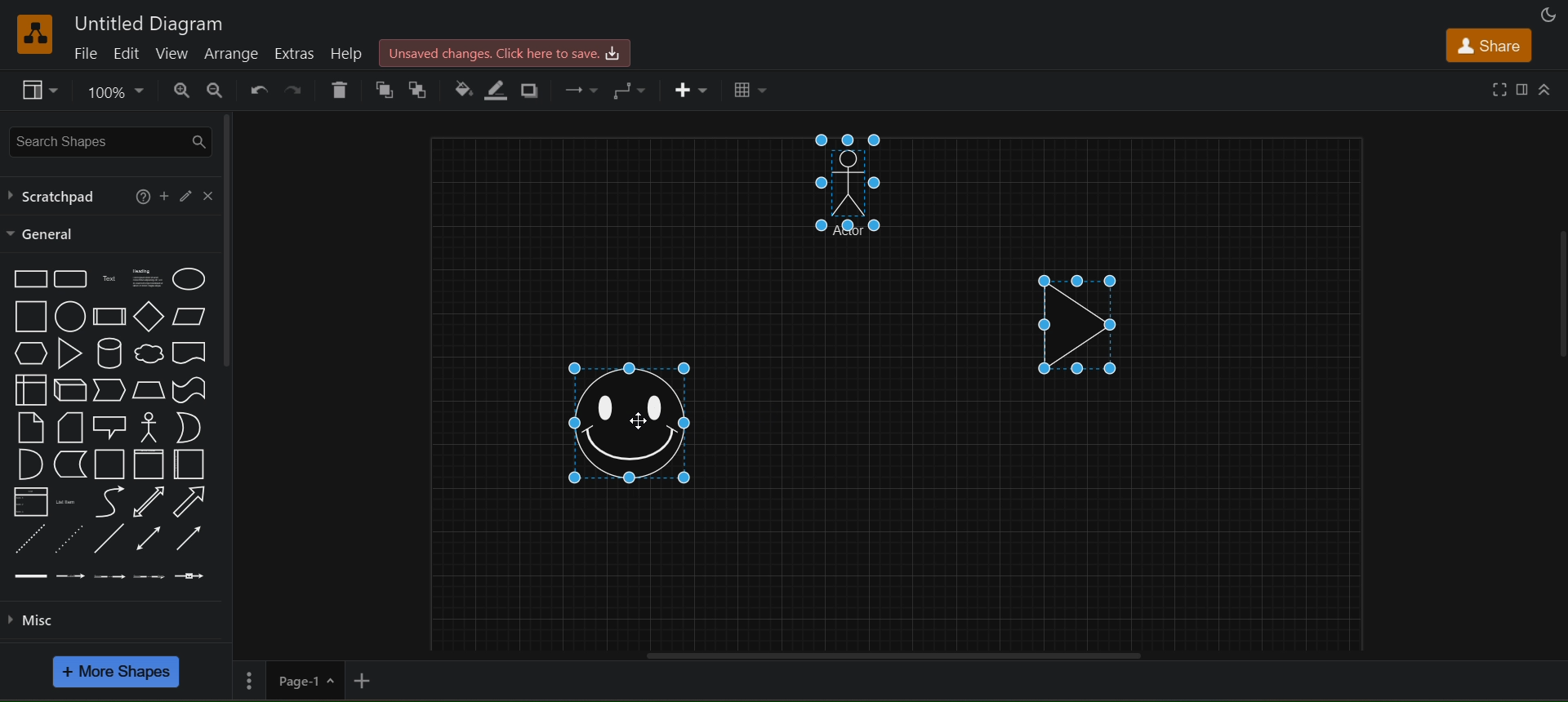 The image size is (1568, 702). Describe the element at coordinates (1547, 91) in the screenshot. I see `collapase/expand` at that location.